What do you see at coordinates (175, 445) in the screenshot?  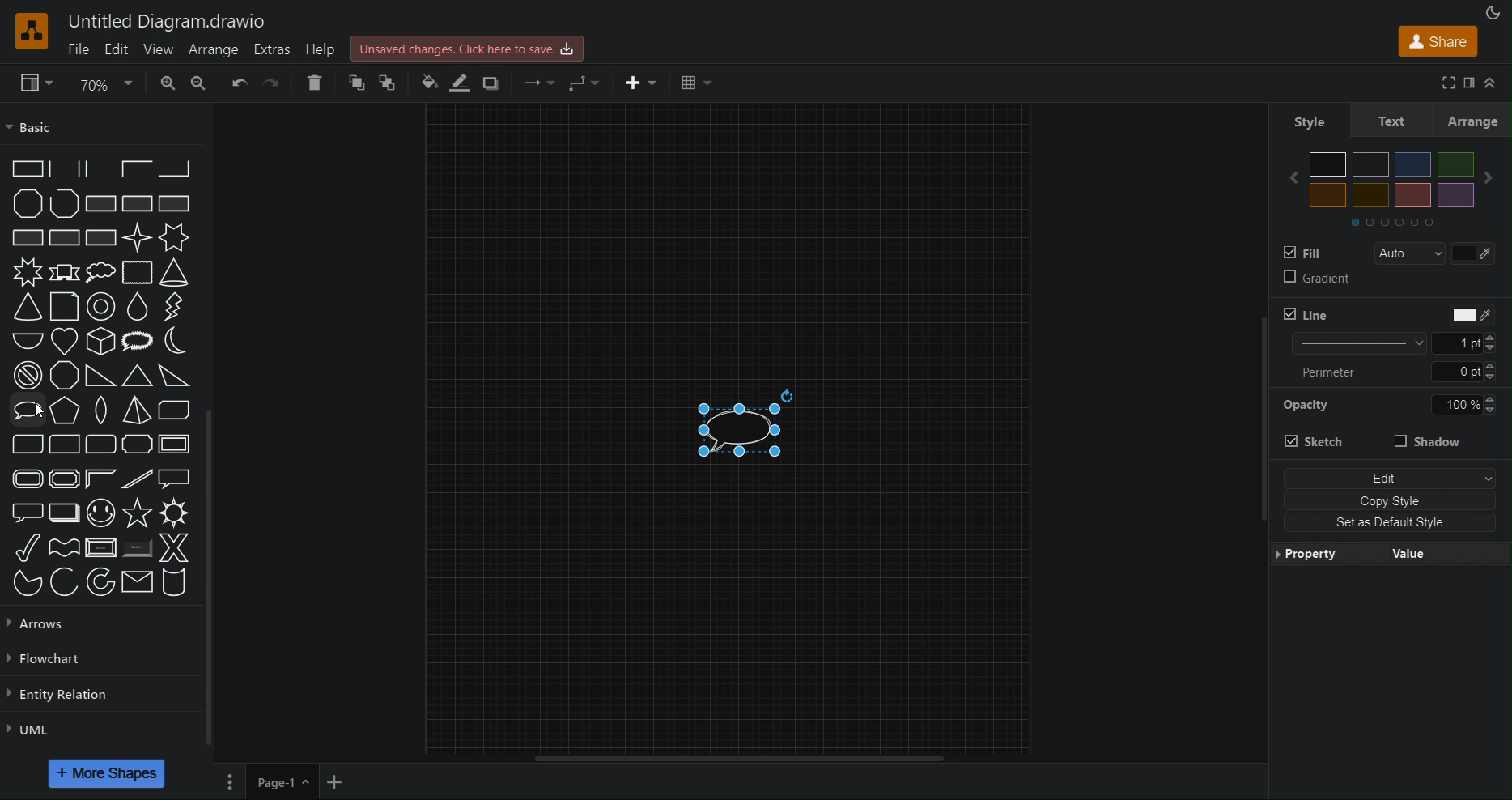 I see `Frame` at bounding box center [175, 445].